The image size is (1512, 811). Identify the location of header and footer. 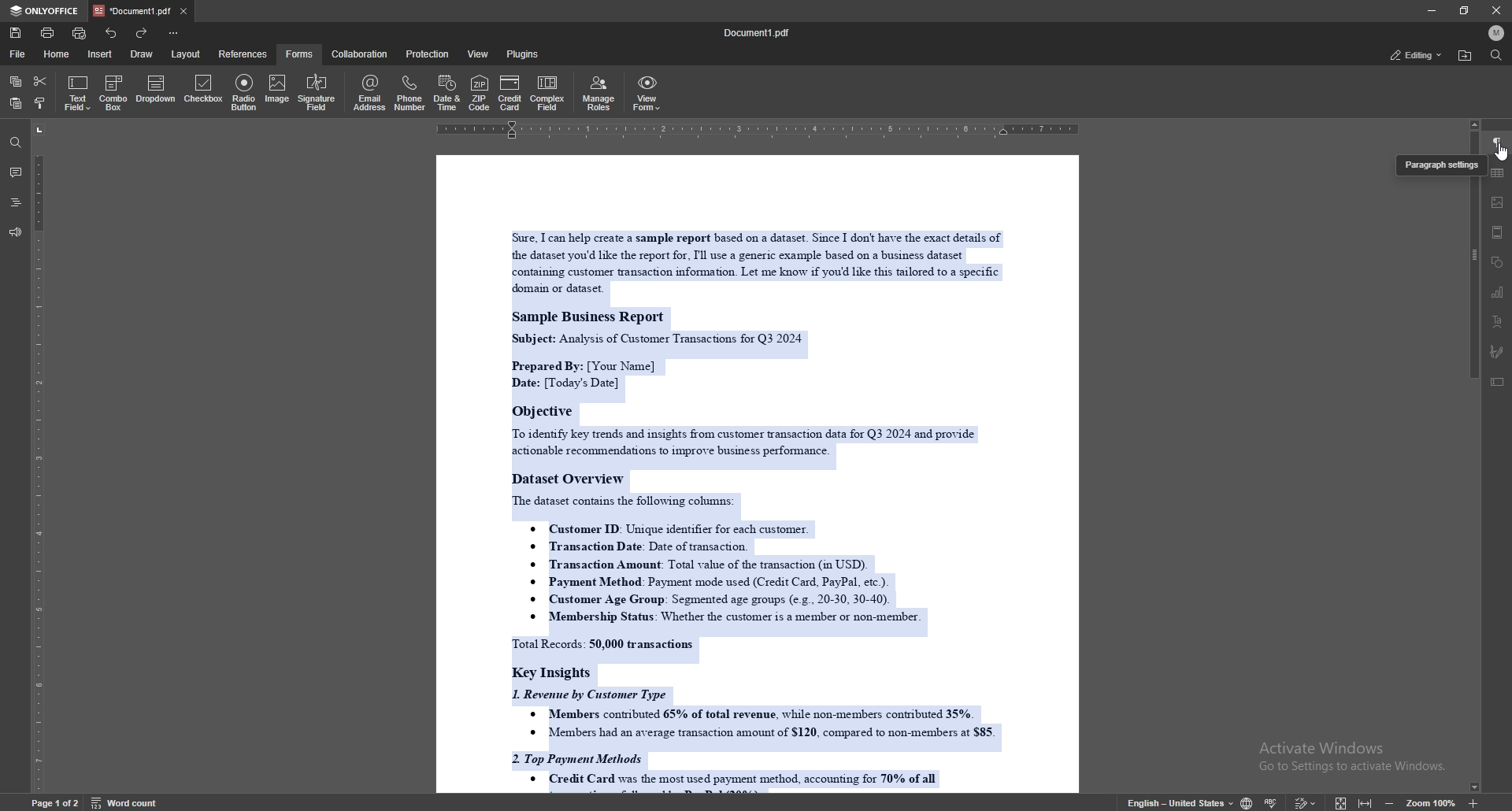
(1498, 232).